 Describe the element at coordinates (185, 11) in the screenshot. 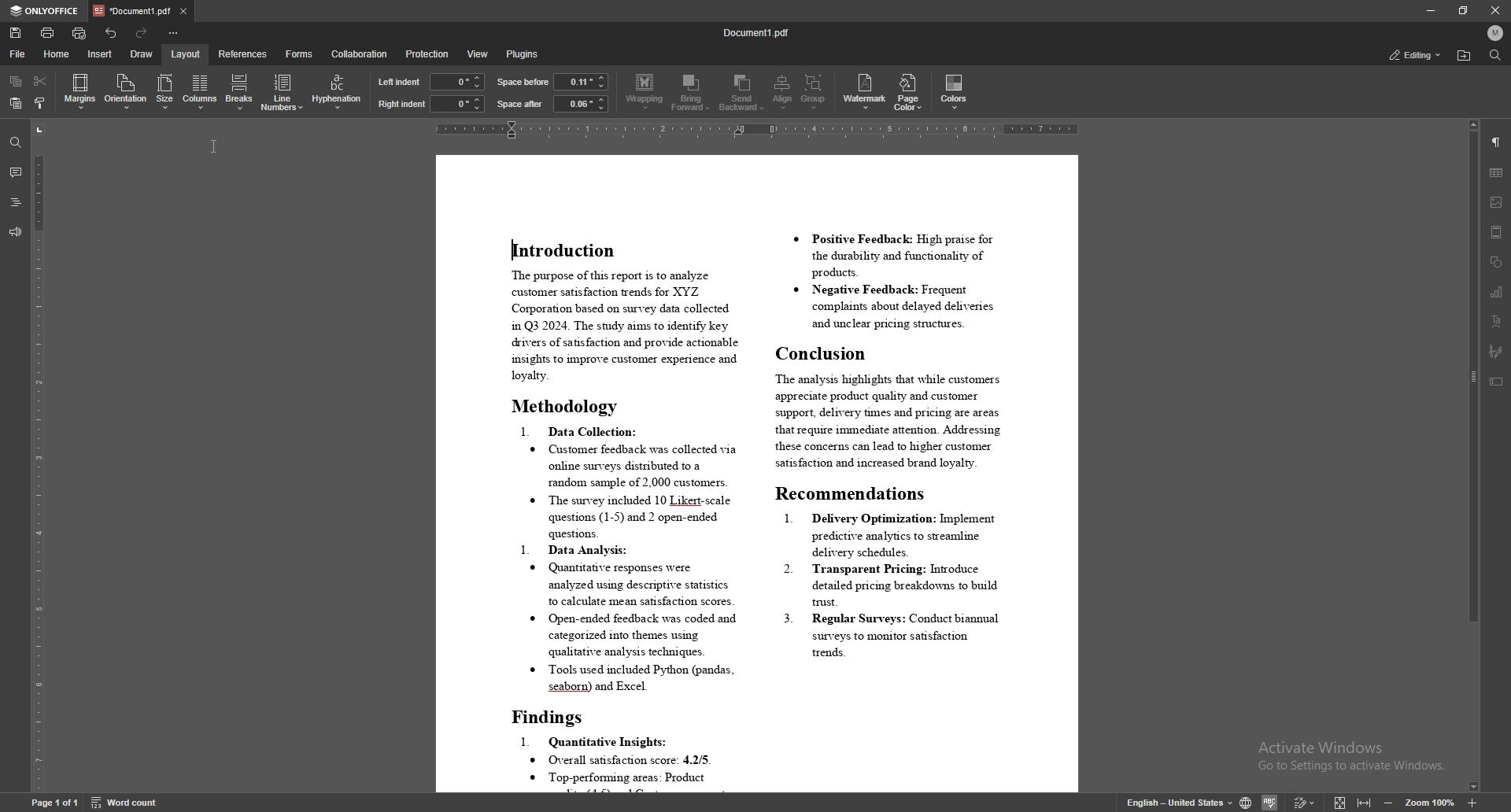

I see `close tab` at that location.